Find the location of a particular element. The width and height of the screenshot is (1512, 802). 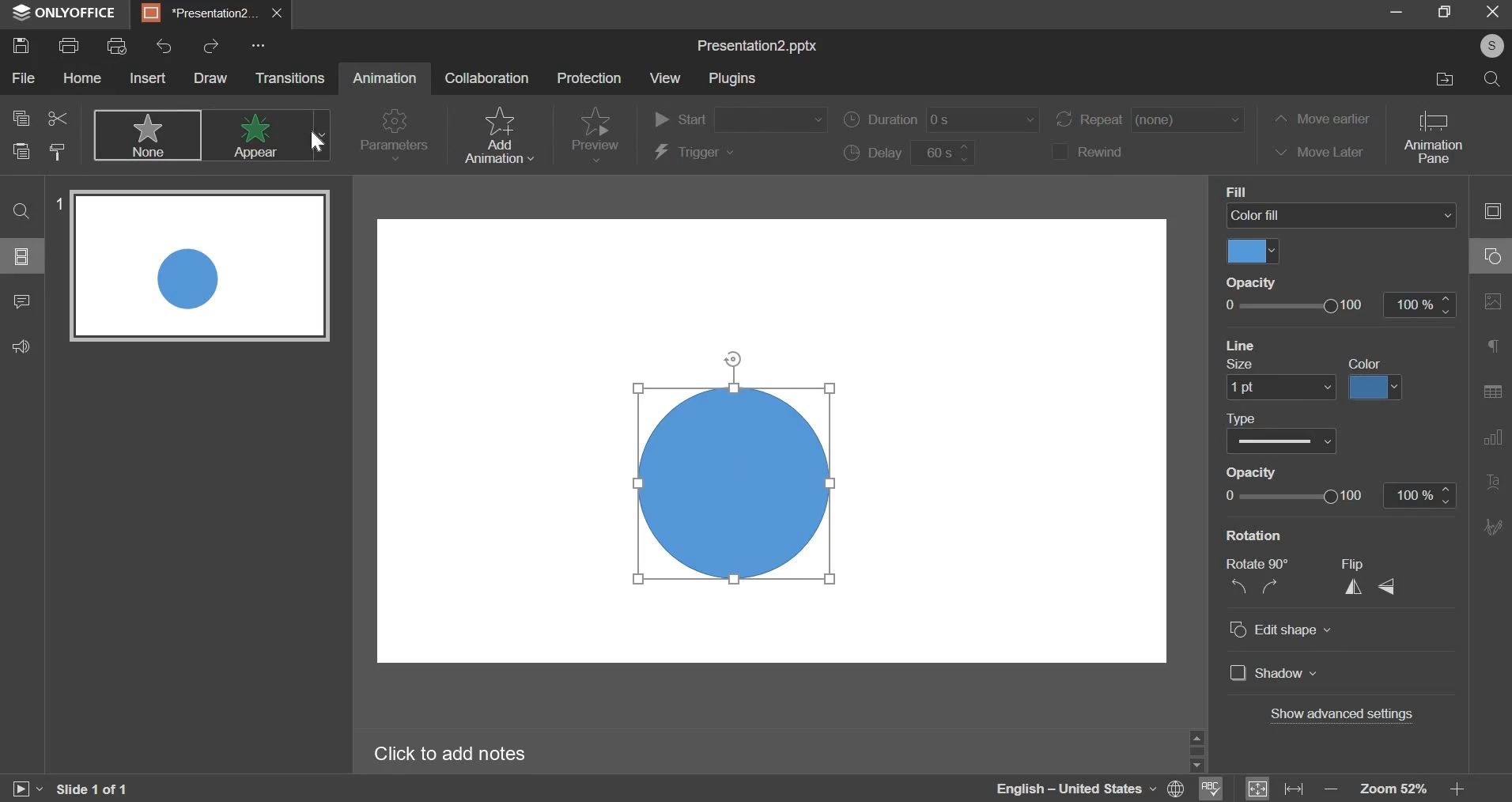

fill color is located at coordinates (1253, 252).